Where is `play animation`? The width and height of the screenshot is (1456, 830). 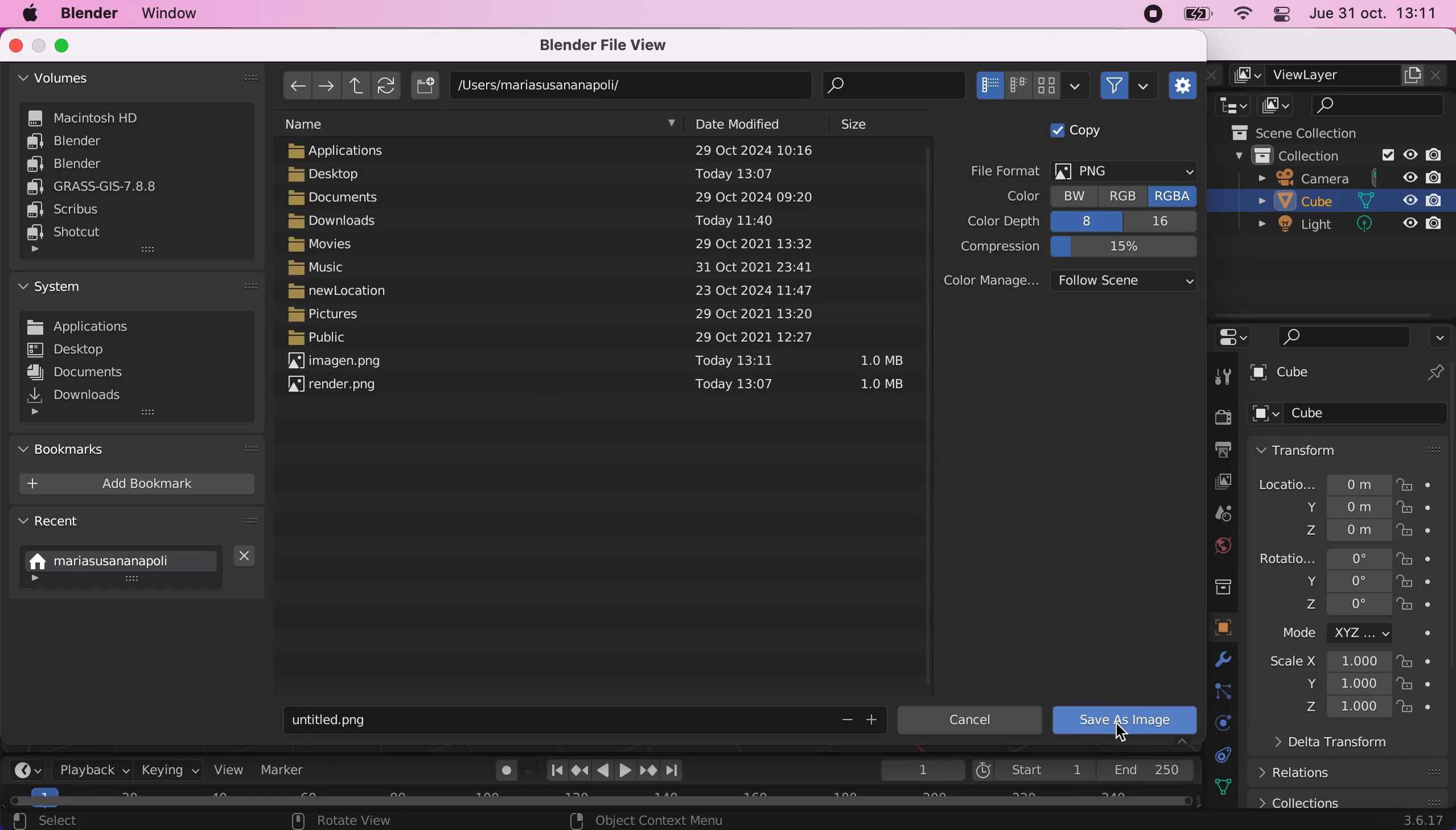
play animation is located at coordinates (602, 770).